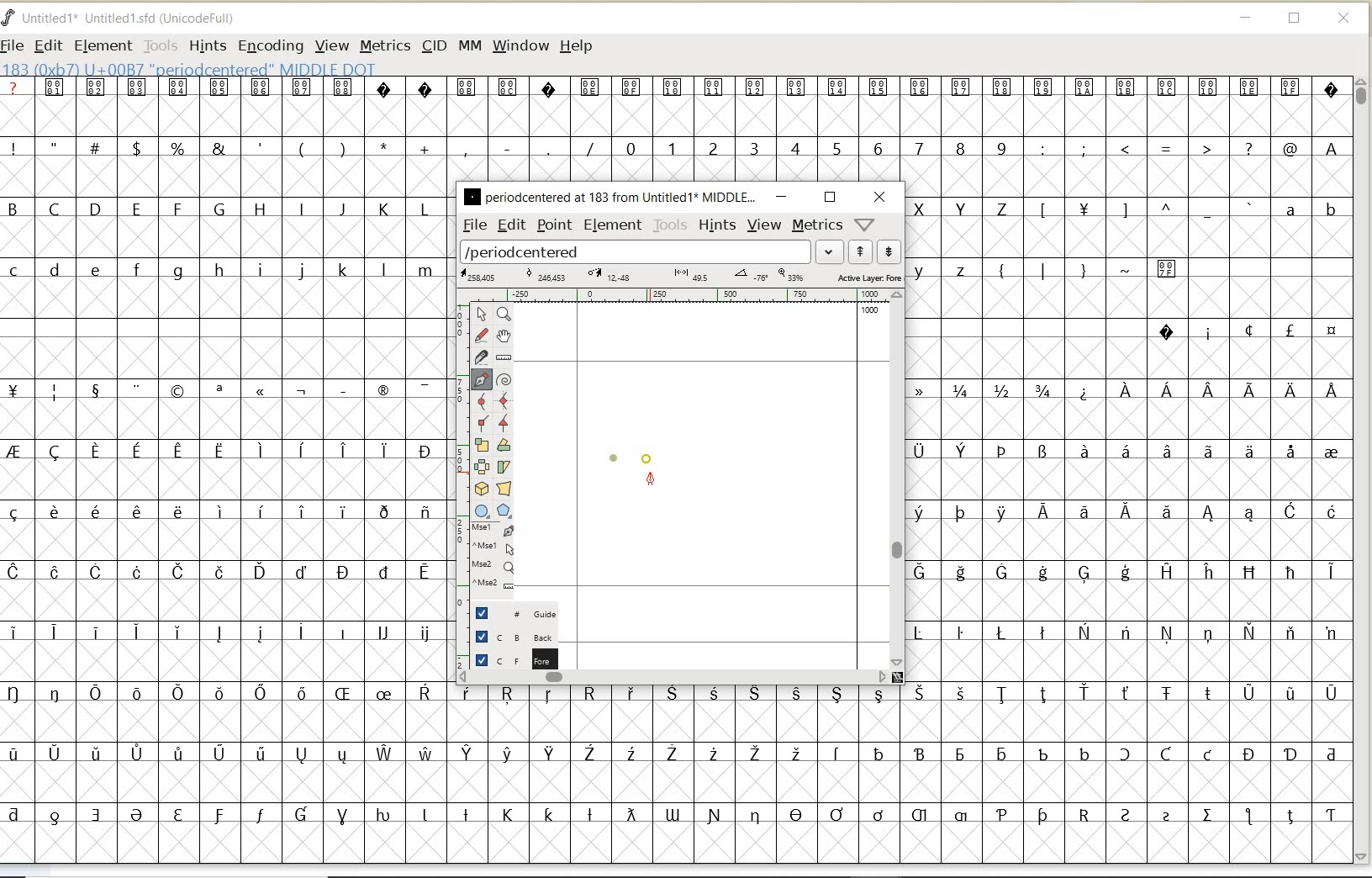 This screenshot has width=1372, height=878. I want to click on element, so click(610, 225).